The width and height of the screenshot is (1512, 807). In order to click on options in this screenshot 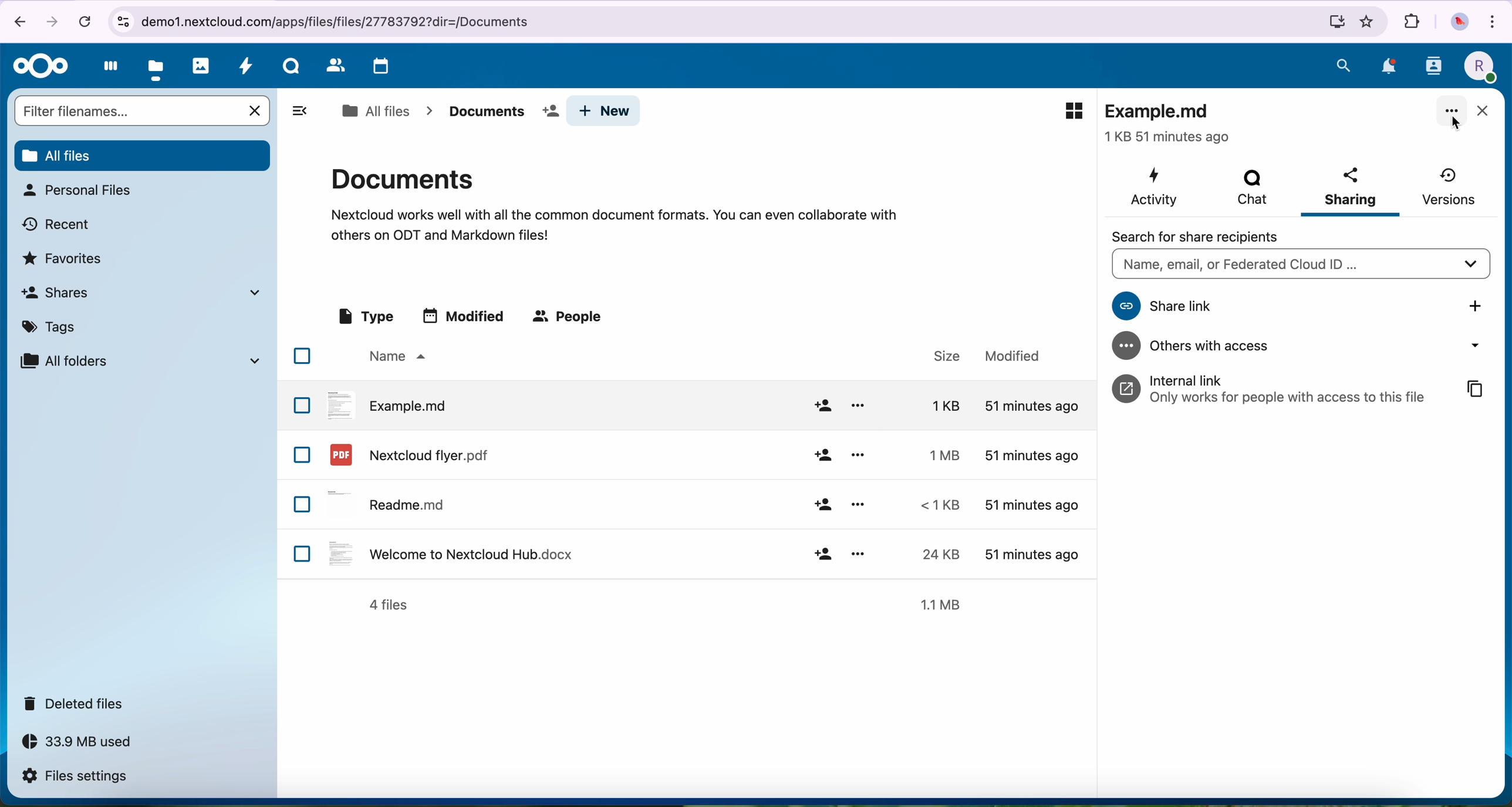, I will do `click(858, 454)`.